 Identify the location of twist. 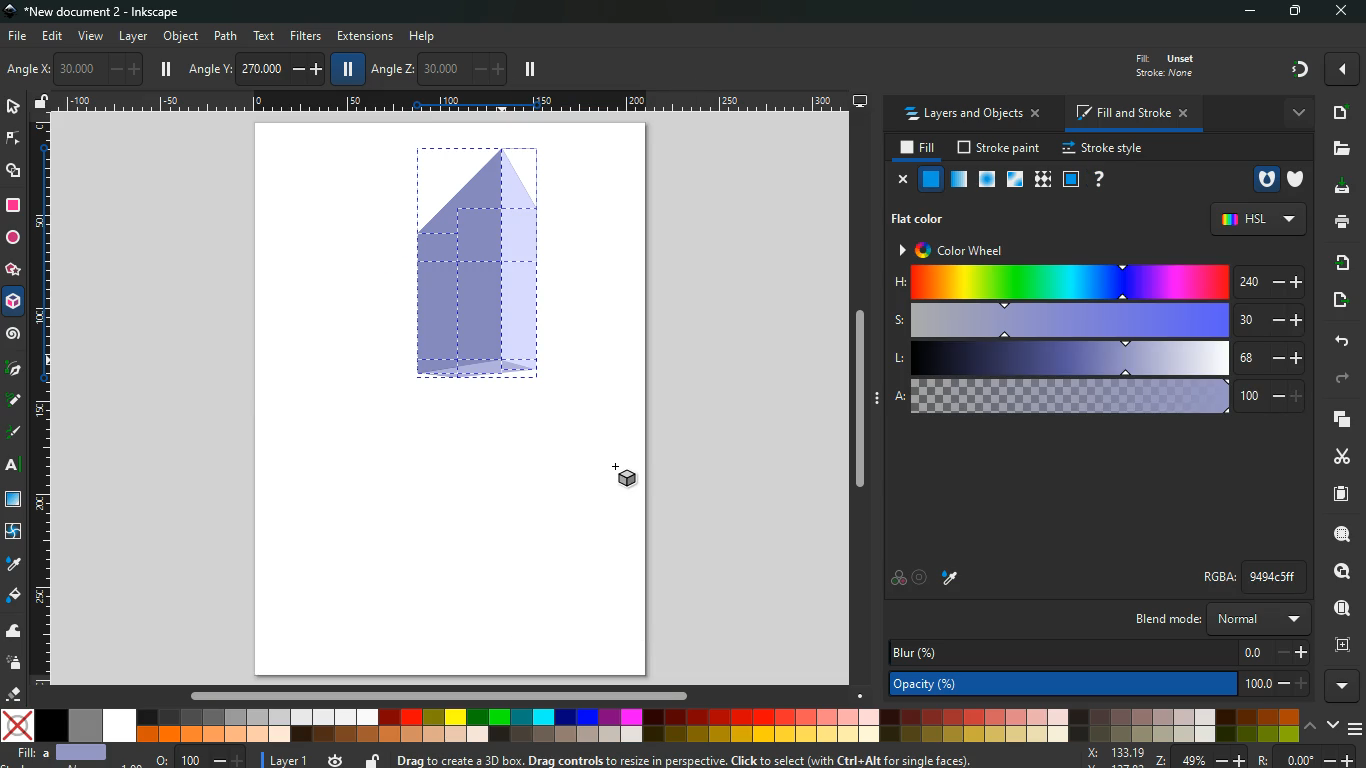
(13, 533).